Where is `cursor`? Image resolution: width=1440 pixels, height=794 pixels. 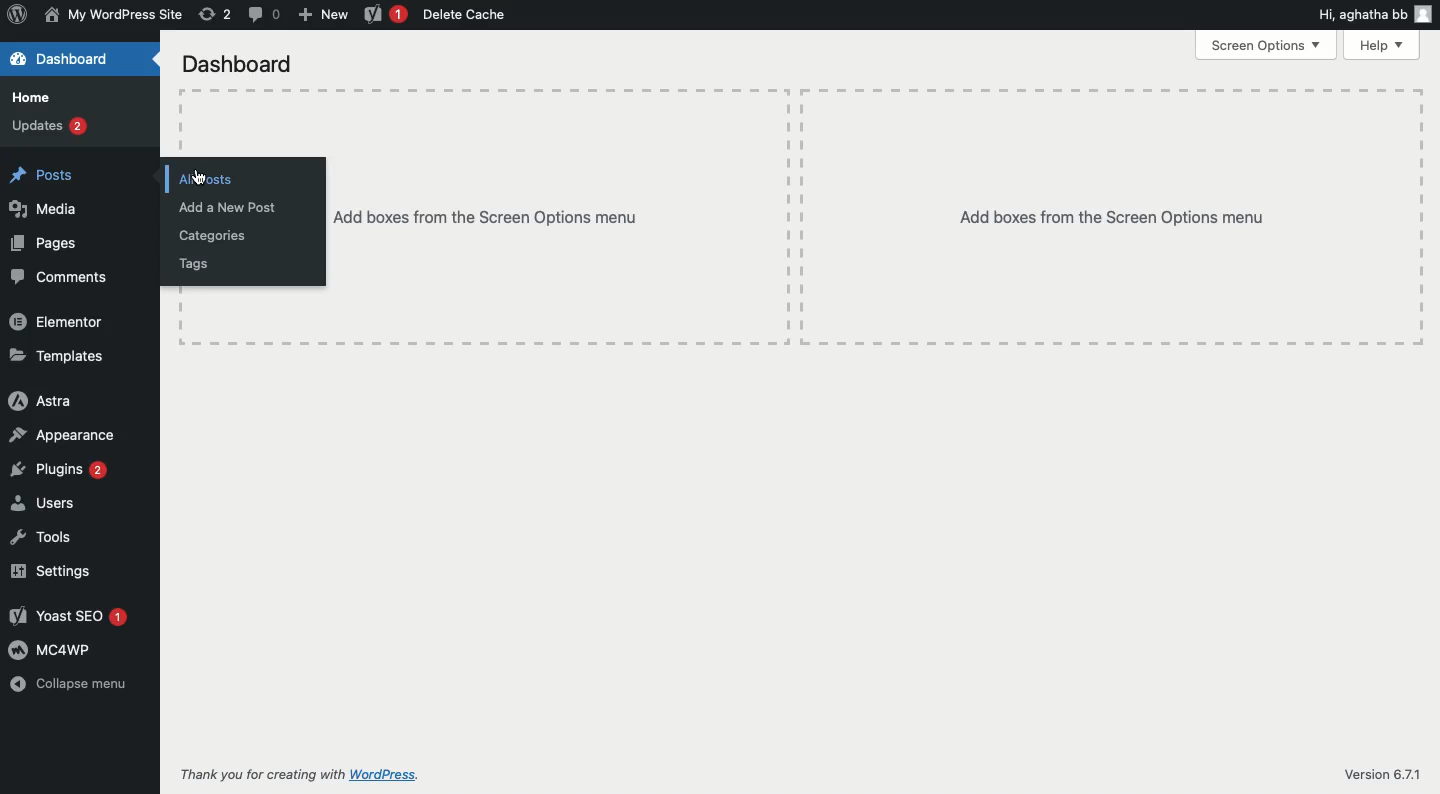
cursor is located at coordinates (199, 177).